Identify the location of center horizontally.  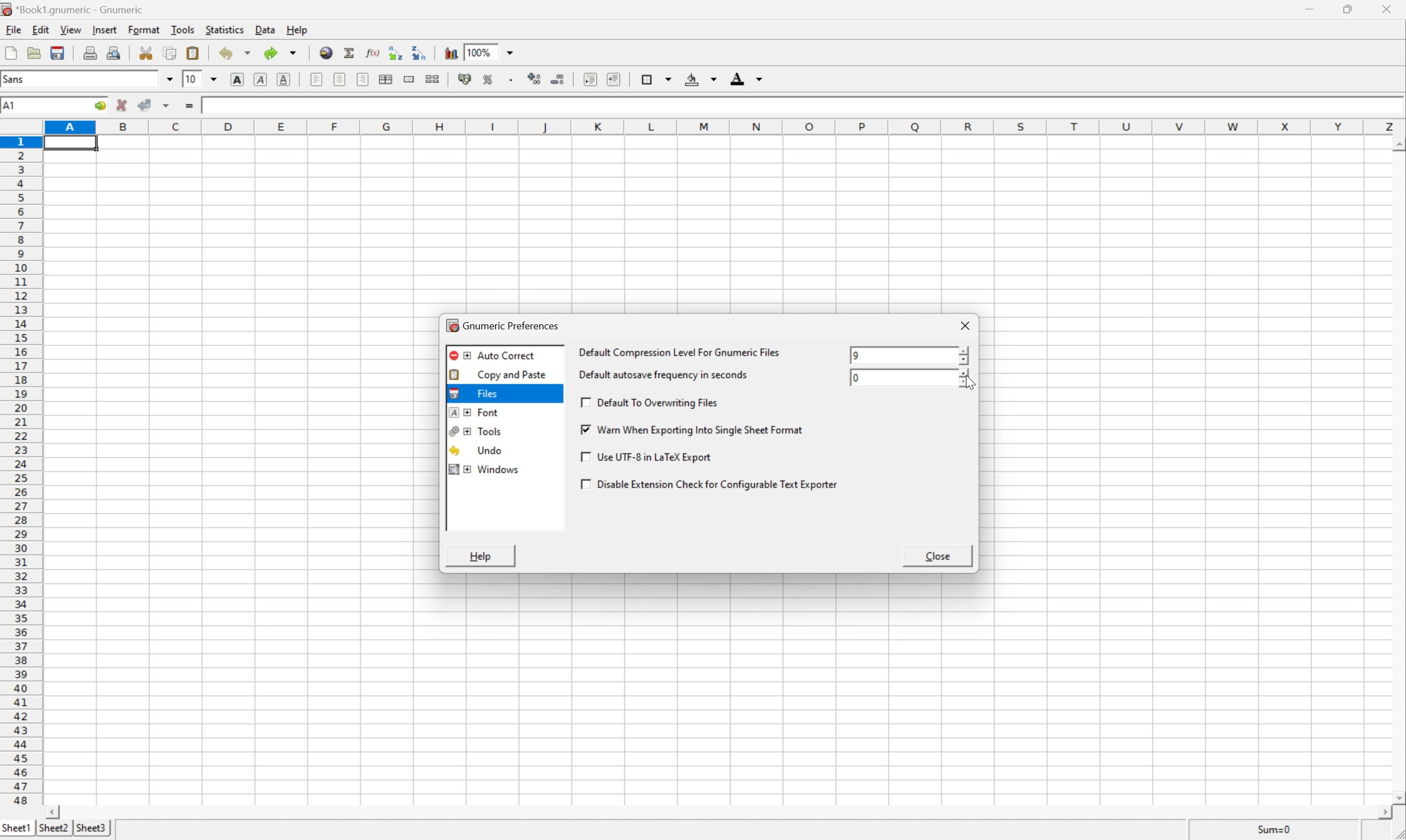
(341, 79).